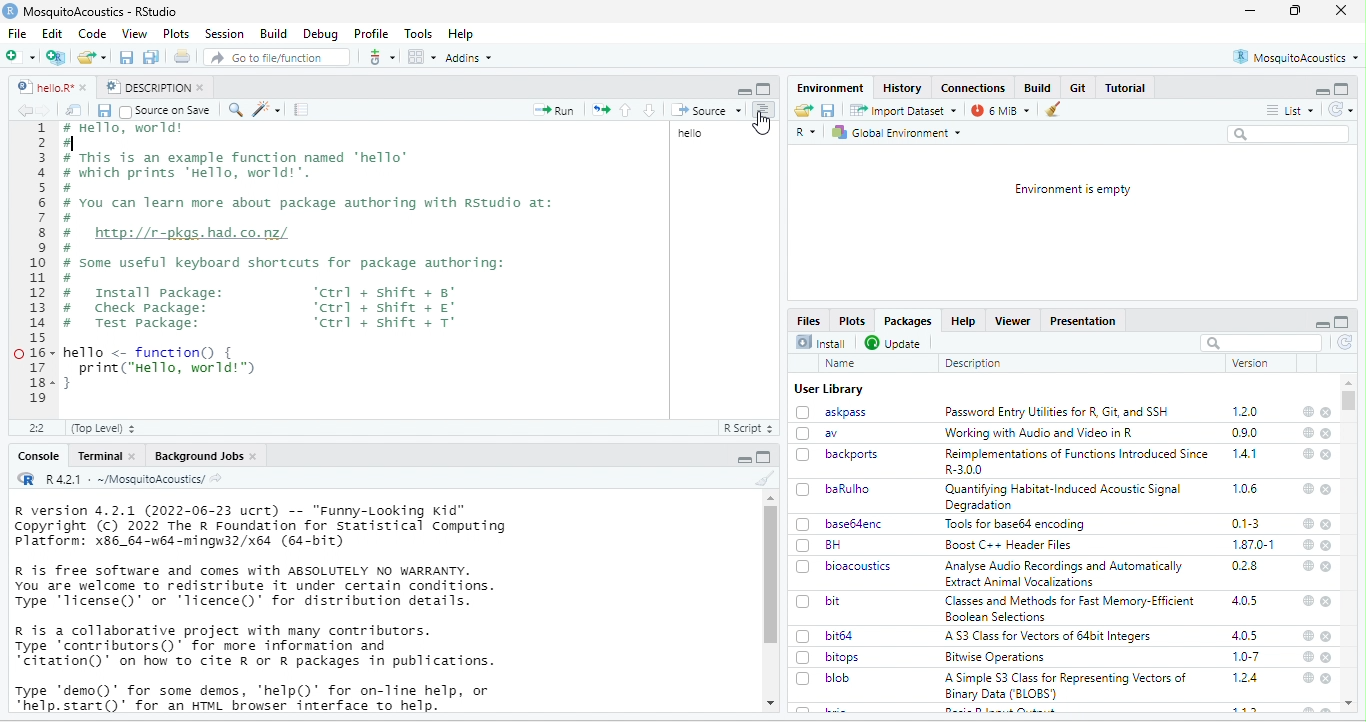  I want to click on 4.0.5, so click(1245, 636).